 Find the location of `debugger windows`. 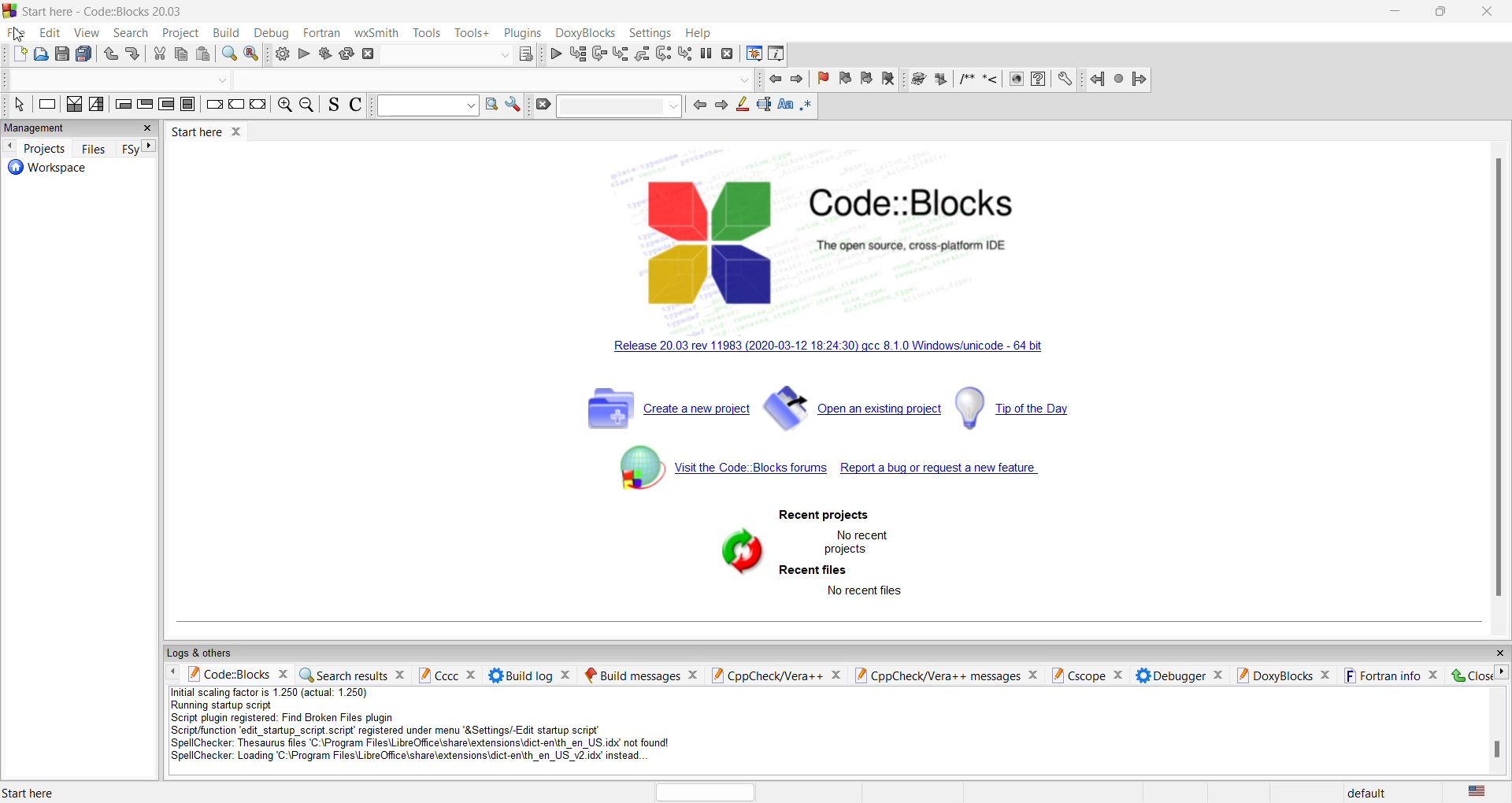

debugger windows is located at coordinates (752, 55).